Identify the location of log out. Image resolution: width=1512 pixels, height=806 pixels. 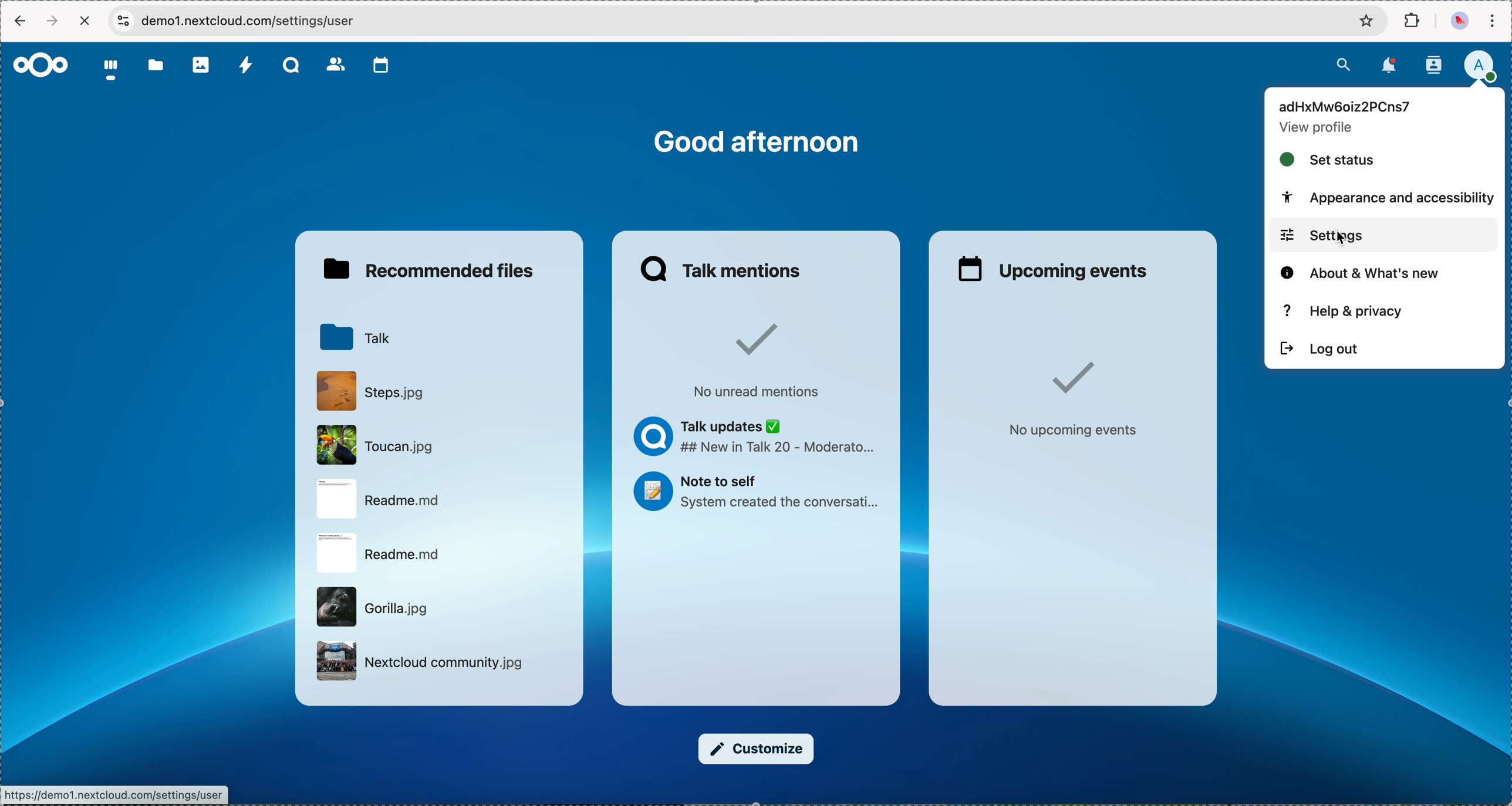
(1320, 350).